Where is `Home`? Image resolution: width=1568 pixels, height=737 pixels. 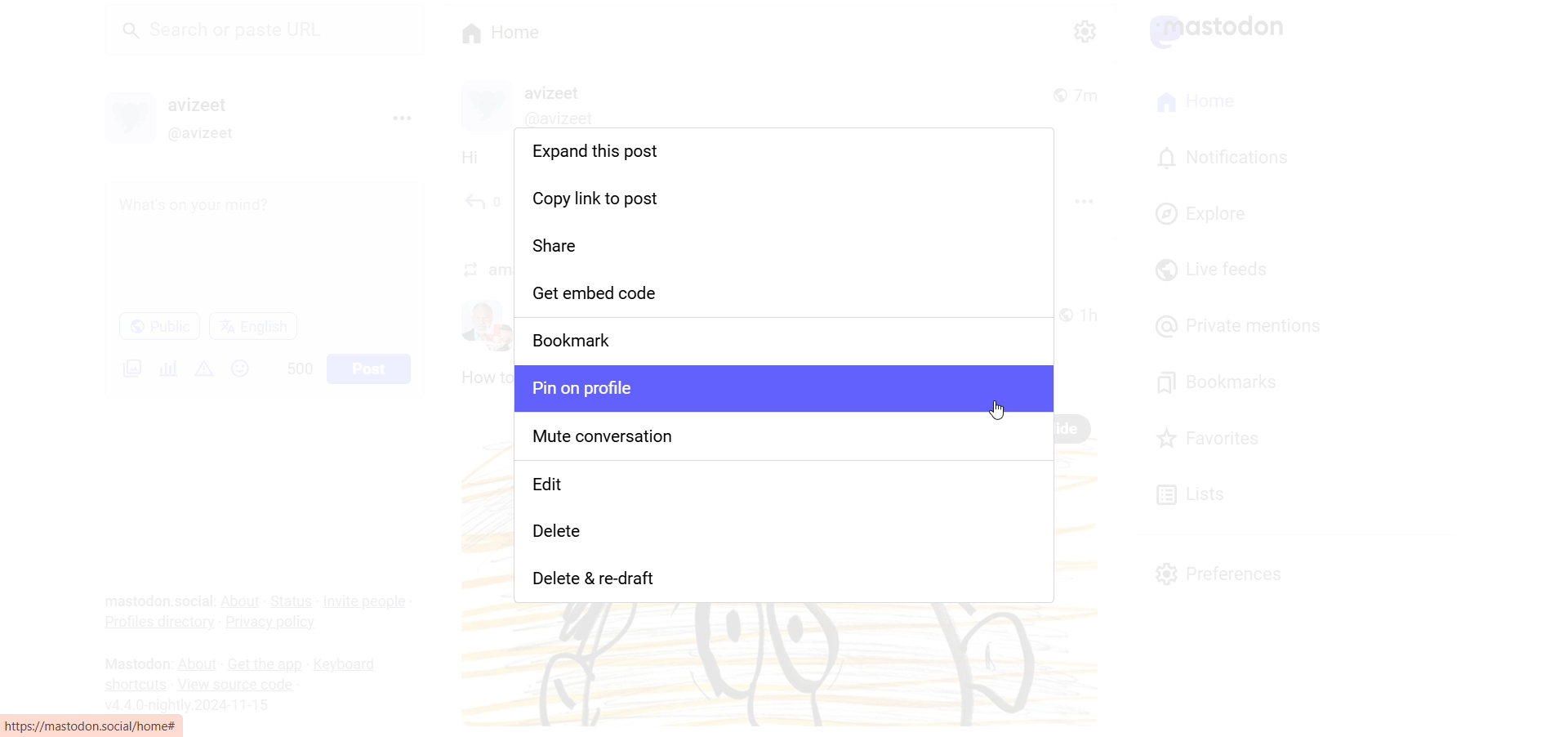 Home is located at coordinates (1196, 103).